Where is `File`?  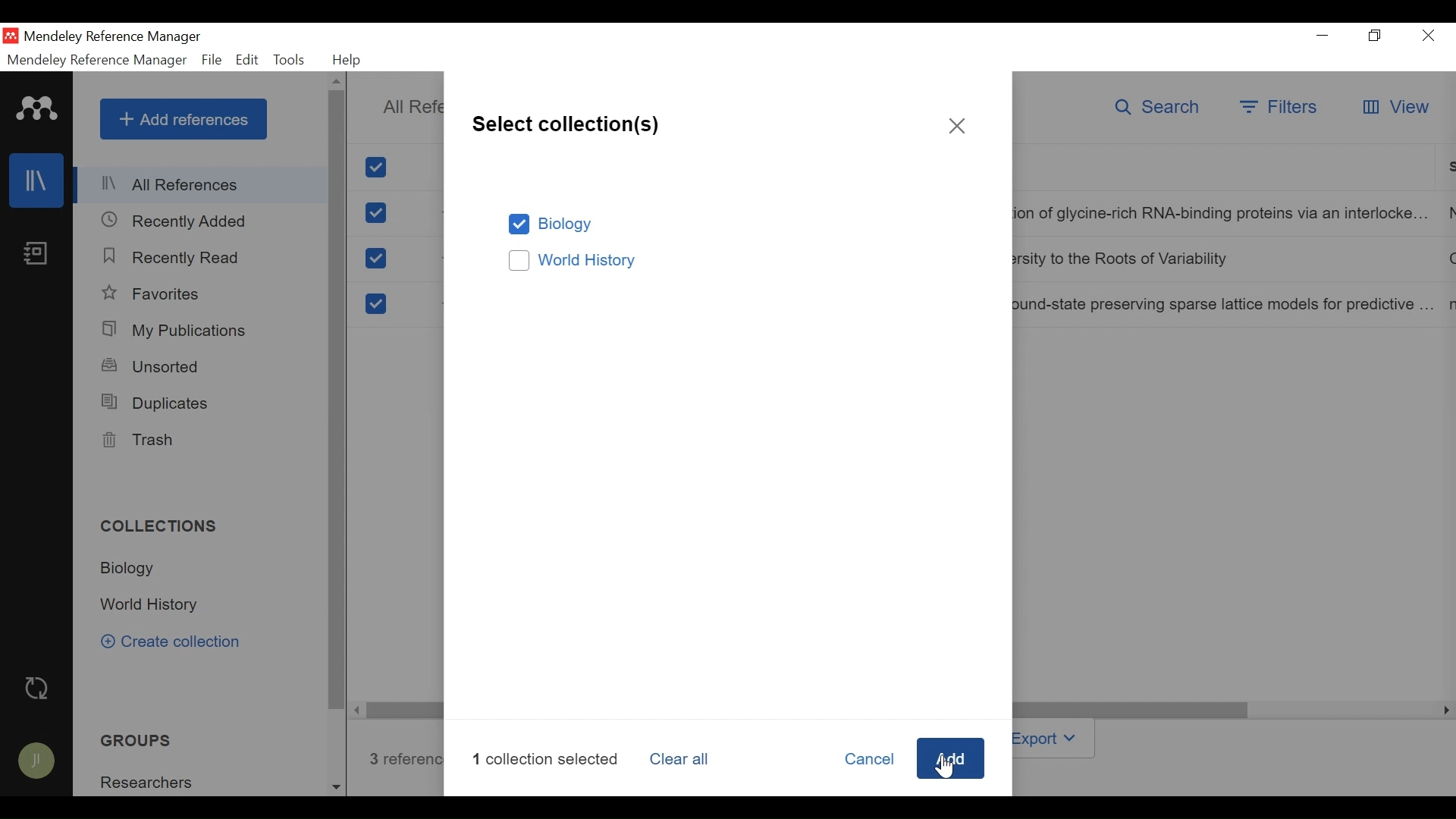 File is located at coordinates (212, 60).